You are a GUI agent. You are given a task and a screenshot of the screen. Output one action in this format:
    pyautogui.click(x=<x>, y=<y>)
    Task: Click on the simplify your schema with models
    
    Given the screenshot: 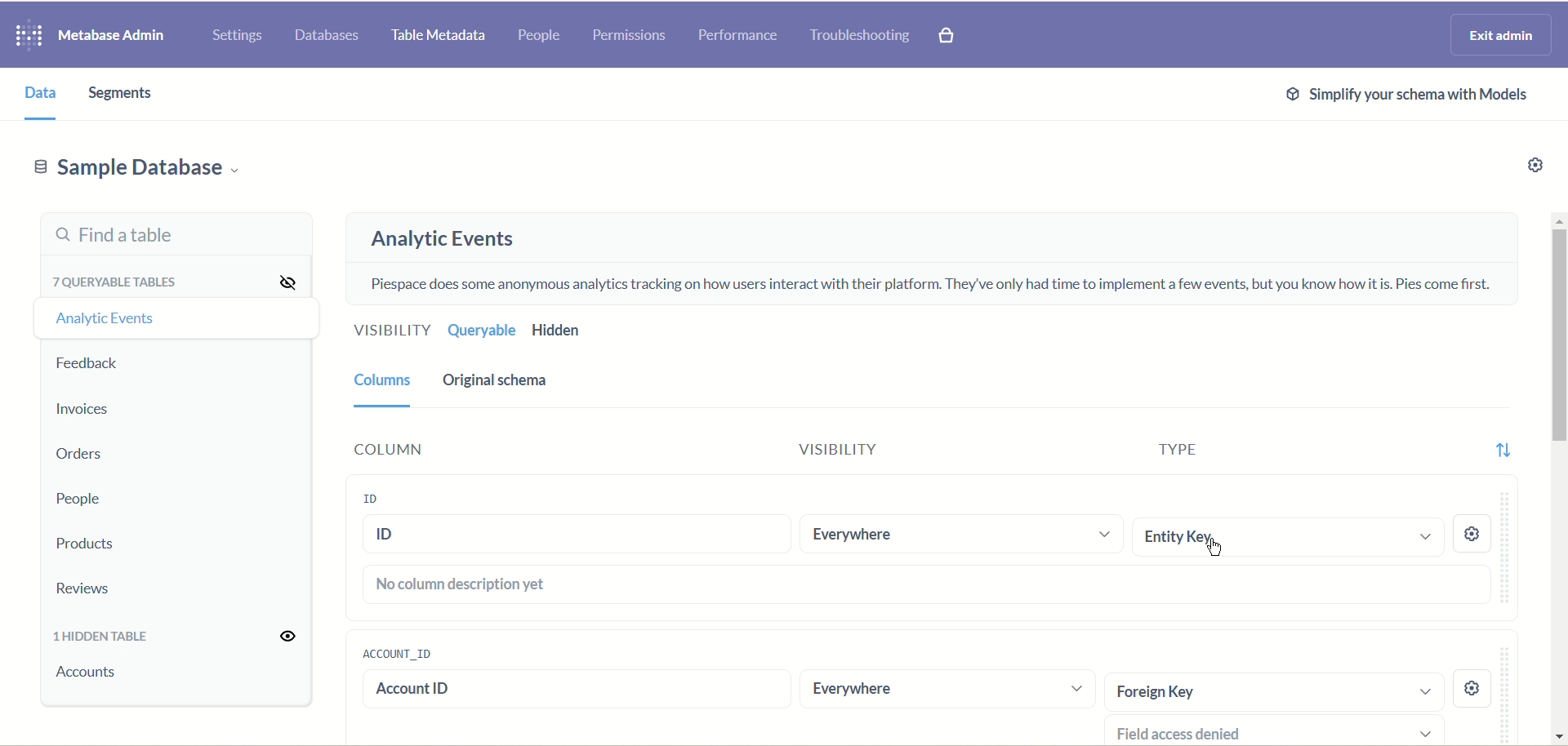 What is the action you would take?
    pyautogui.click(x=1410, y=96)
    